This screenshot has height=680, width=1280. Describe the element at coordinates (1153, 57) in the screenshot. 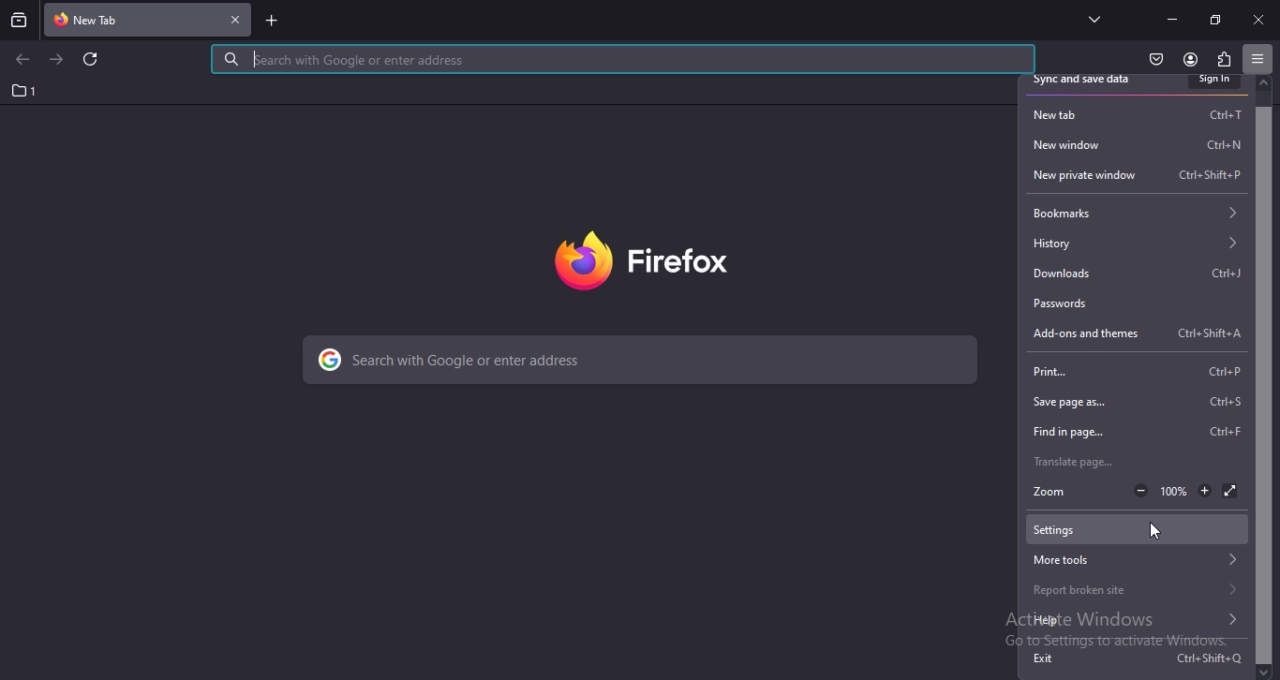

I see `save to pocket` at that location.